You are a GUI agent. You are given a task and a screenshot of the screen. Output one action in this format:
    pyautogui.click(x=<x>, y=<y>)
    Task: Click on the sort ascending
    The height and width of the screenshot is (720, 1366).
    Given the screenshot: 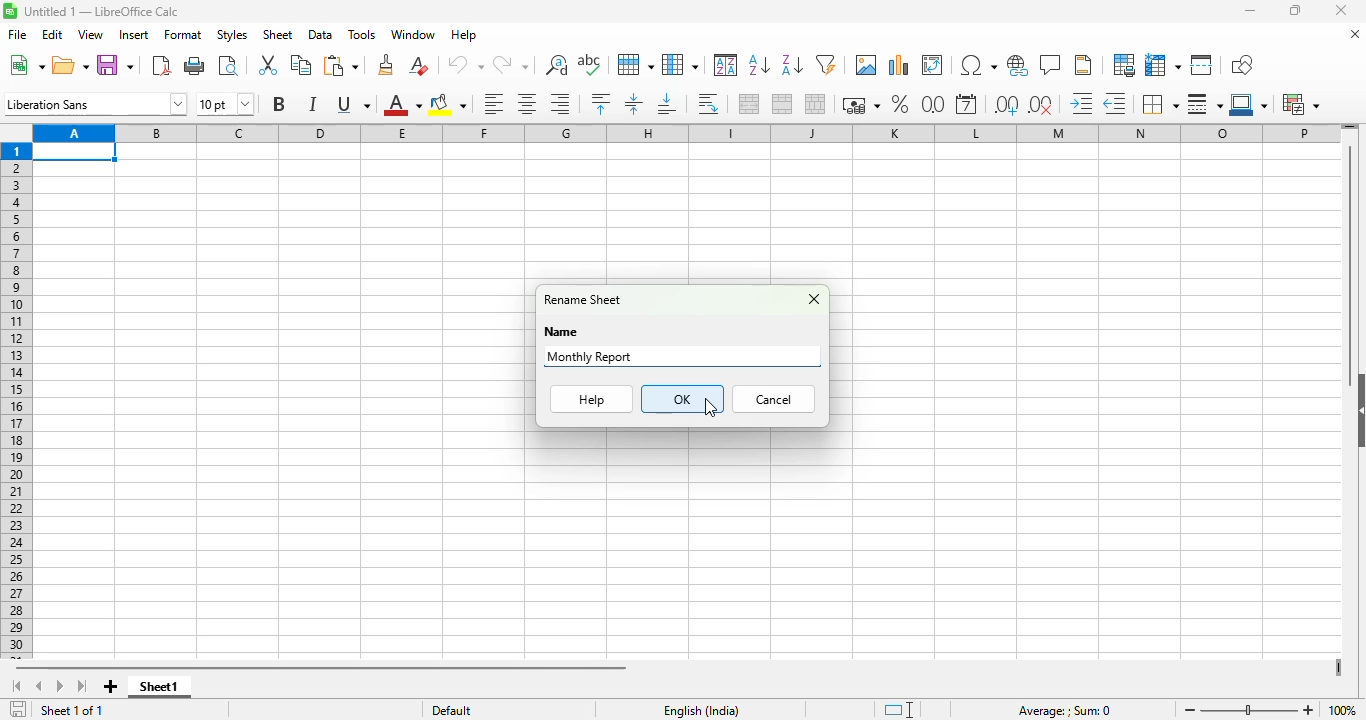 What is the action you would take?
    pyautogui.click(x=759, y=64)
    